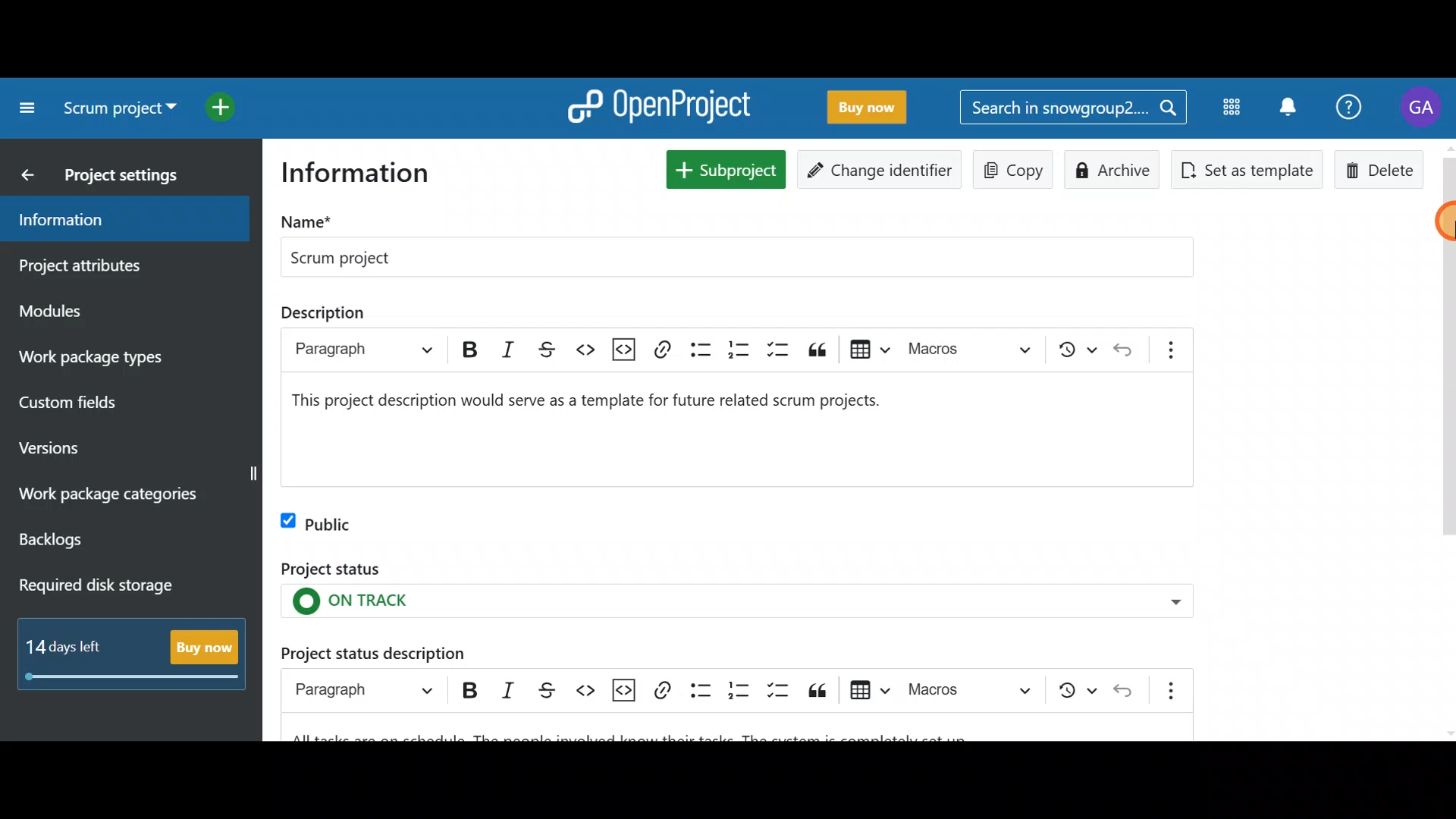 The width and height of the screenshot is (1456, 819). What do you see at coordinates (1379, 169) in the screenshot?
I see `Delete` at bounding box center [1379, 169].